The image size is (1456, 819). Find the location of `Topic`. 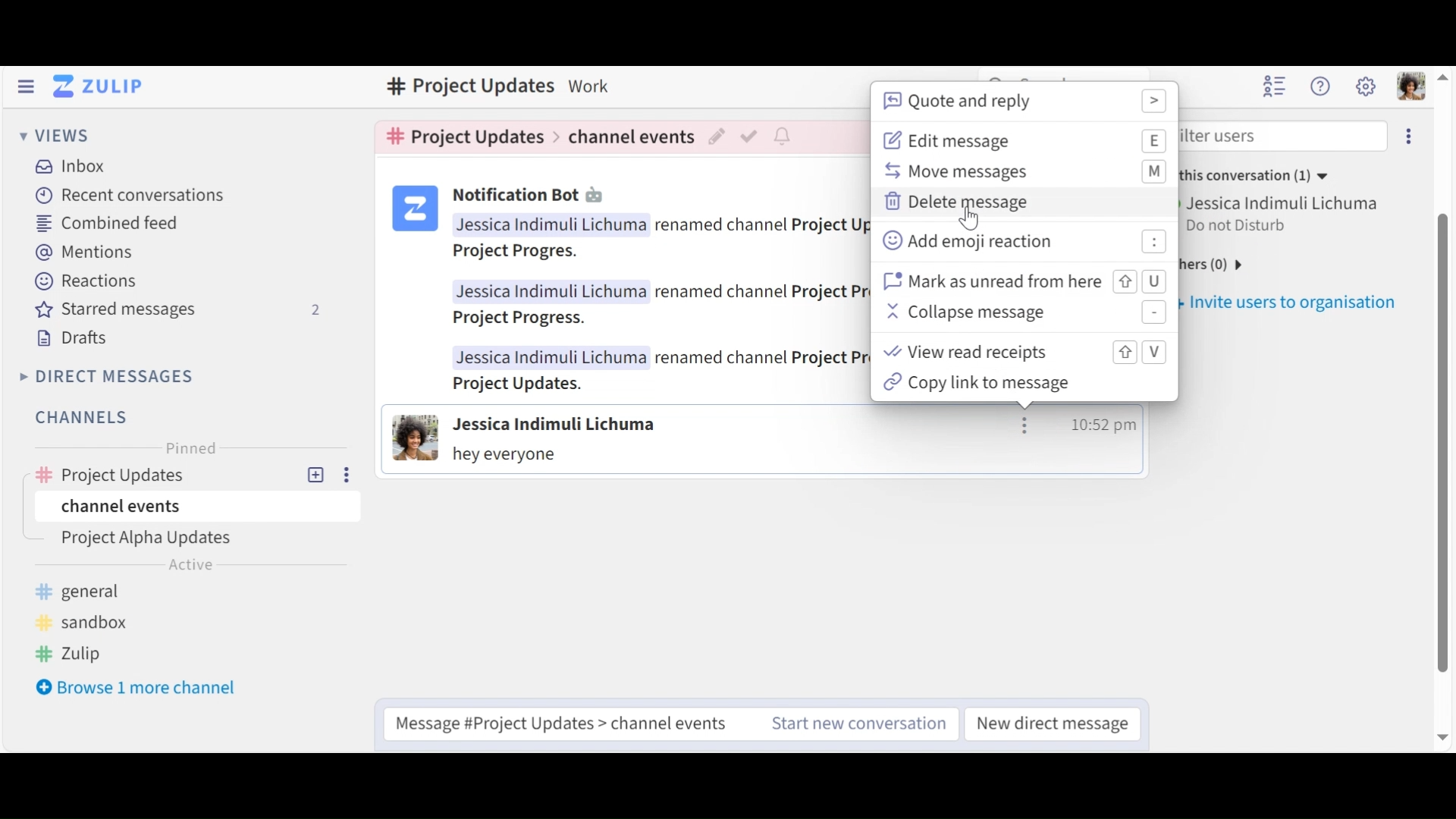

Topic is located at coordinates (201, 540).